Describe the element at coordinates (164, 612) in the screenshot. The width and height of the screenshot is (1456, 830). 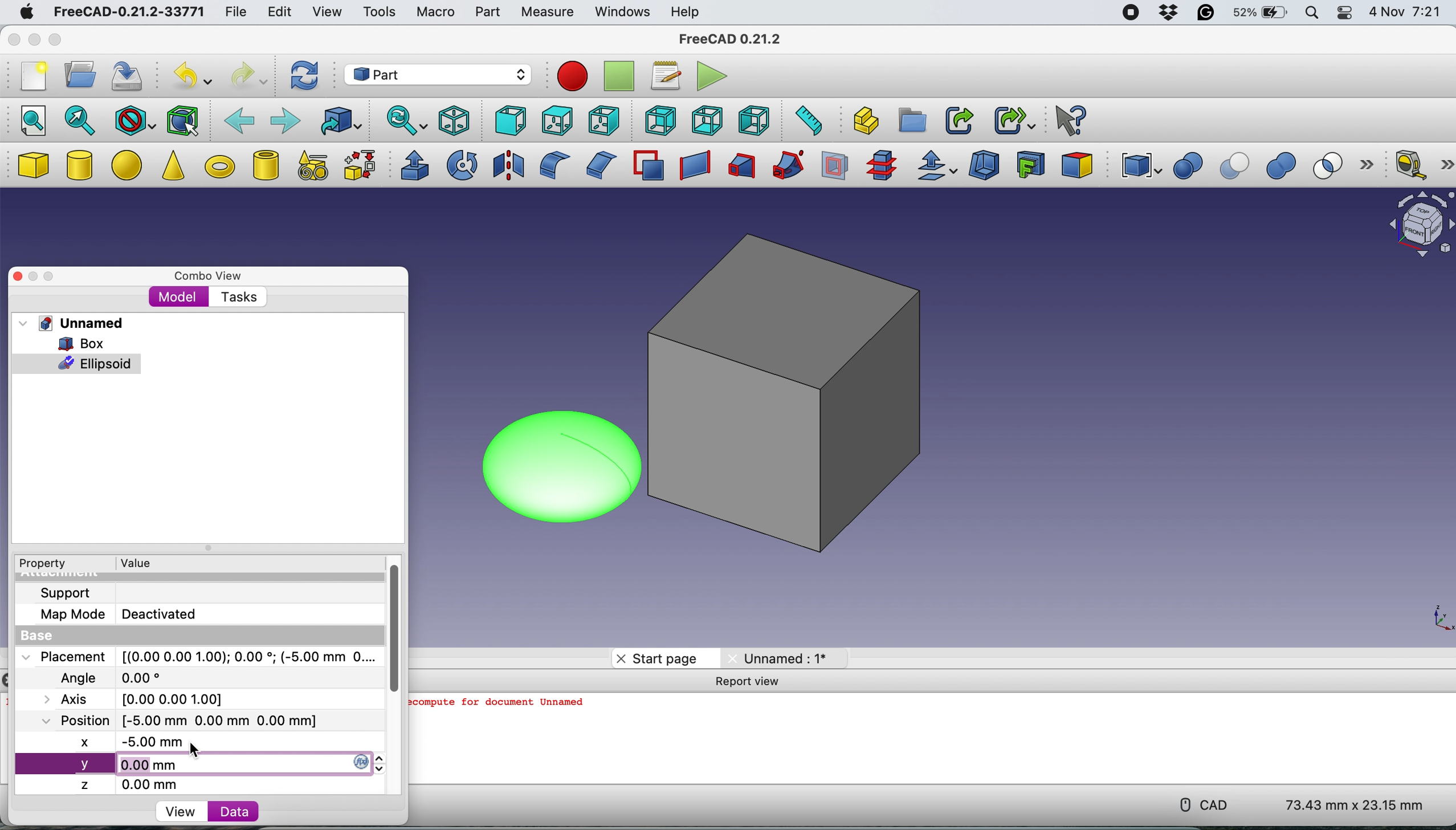
I see `Deactivated` at that location.